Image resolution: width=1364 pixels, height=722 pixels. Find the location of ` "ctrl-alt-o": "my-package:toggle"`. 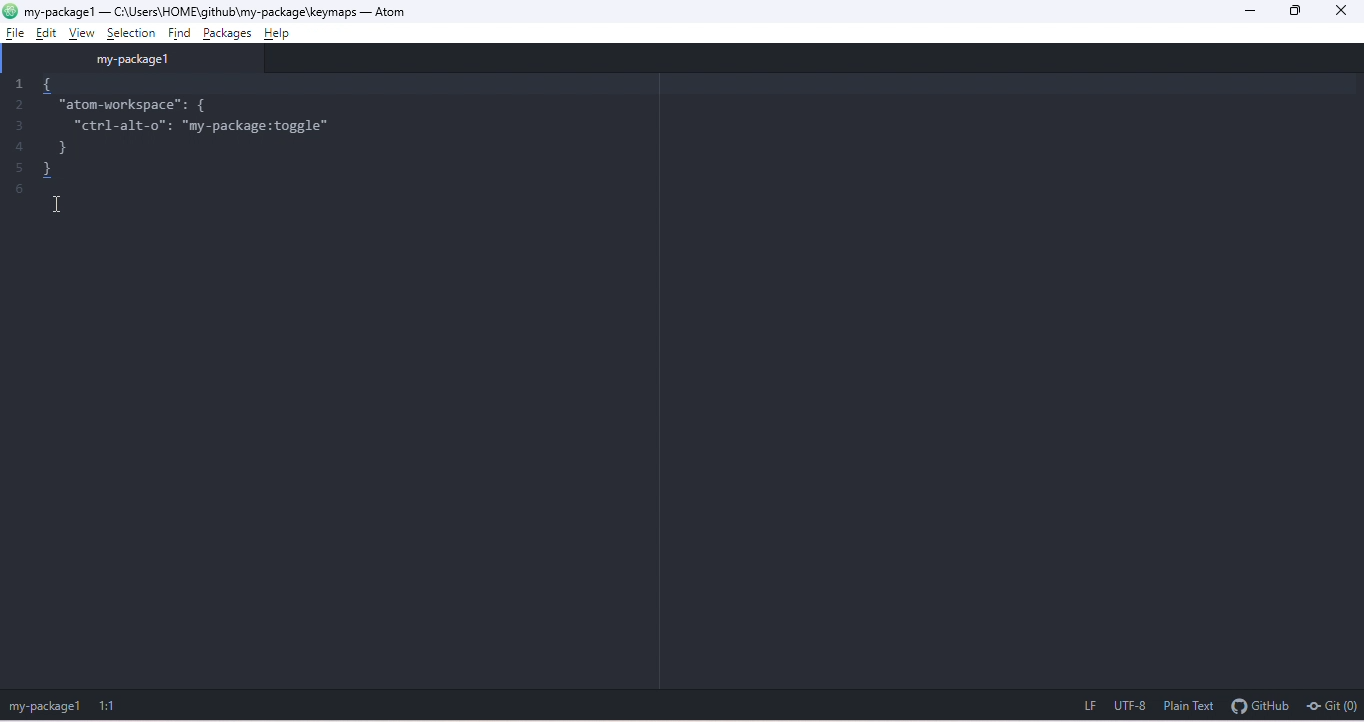

 "ctrl-alt-o": "my-package:toggle" is located at coordinates (192, 127).